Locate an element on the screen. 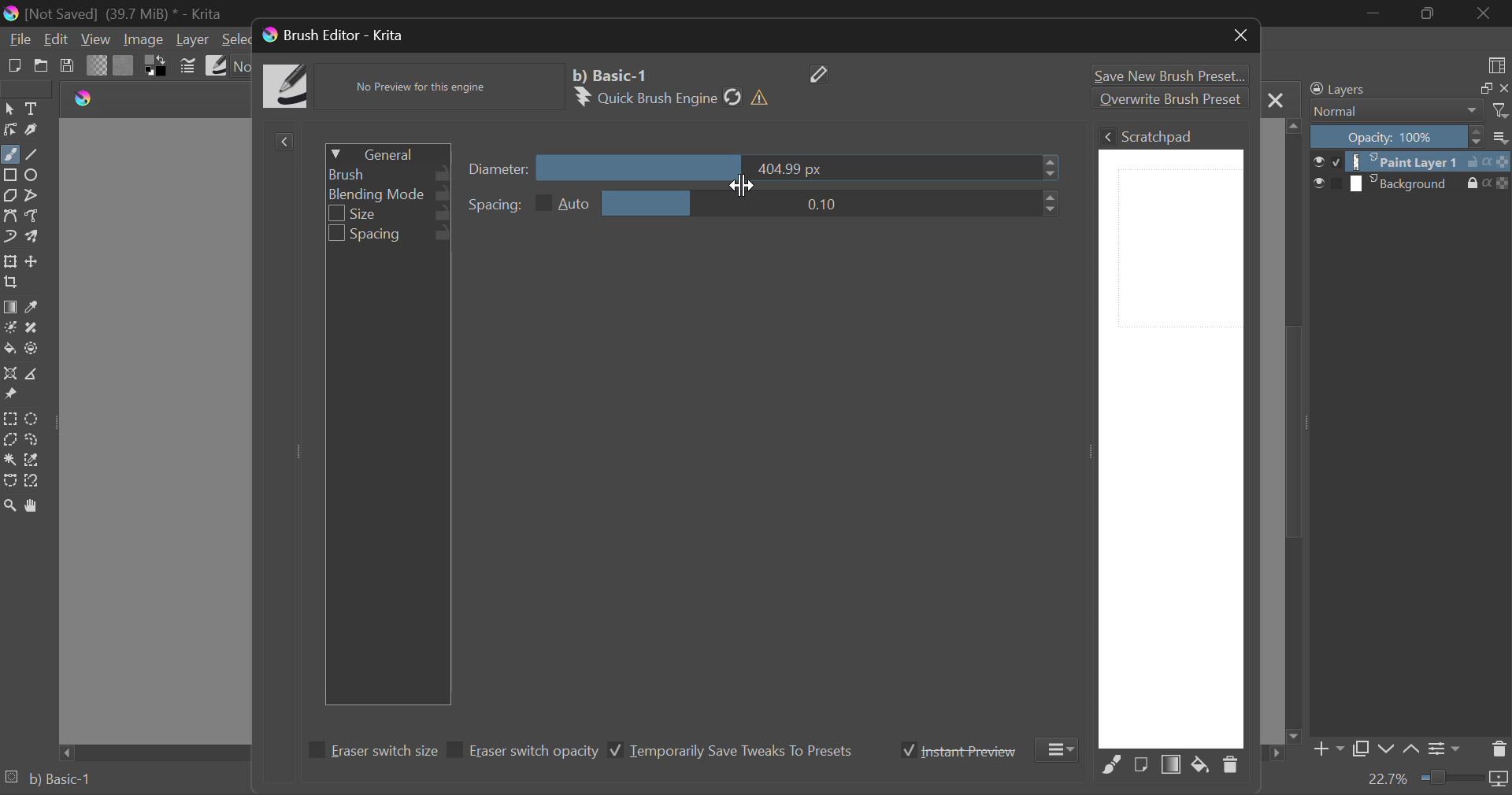  Multibrush Tool is located at coordinates (34, 237).